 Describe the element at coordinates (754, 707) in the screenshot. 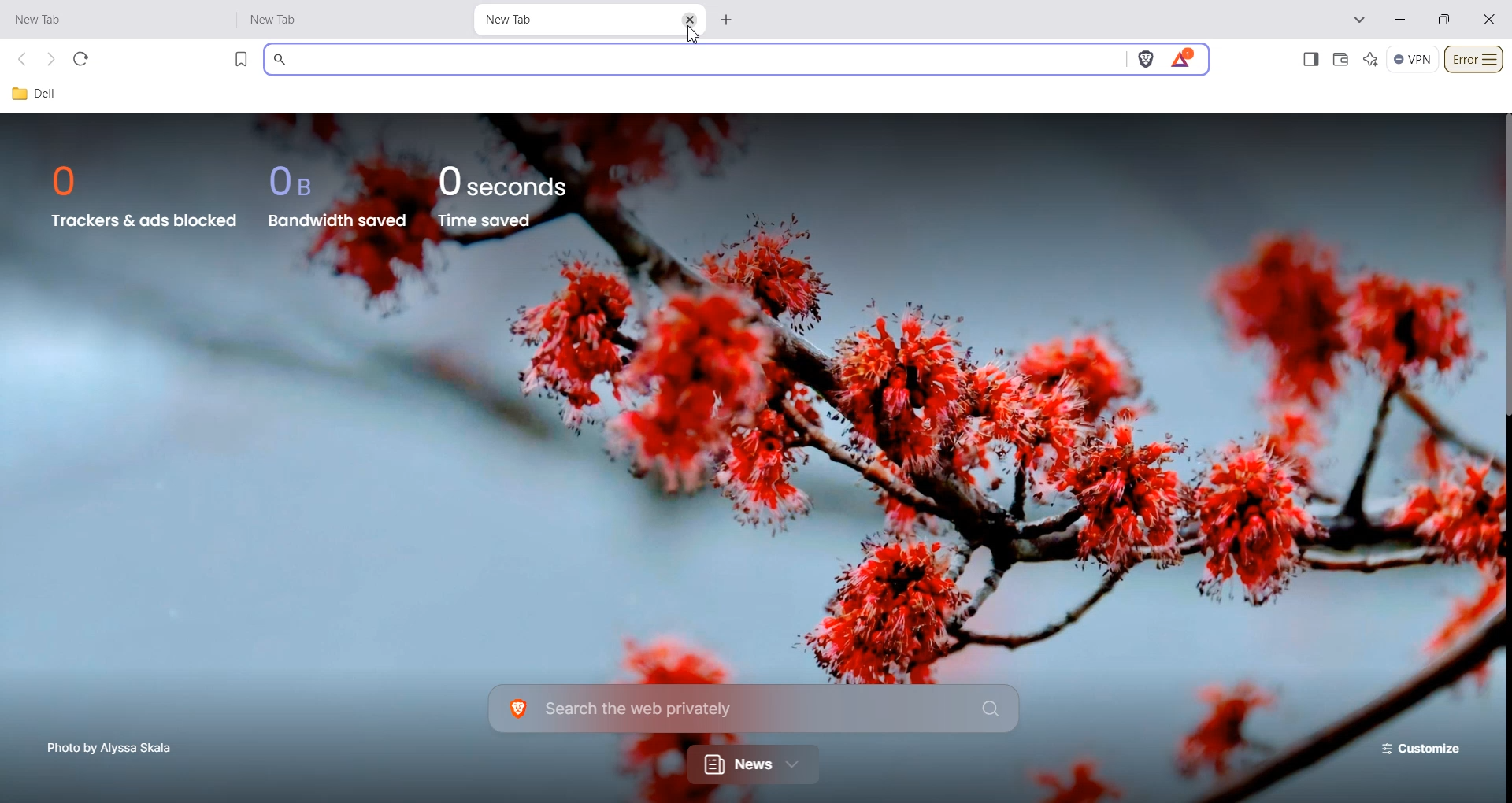

I see `Search Bar` at that location.